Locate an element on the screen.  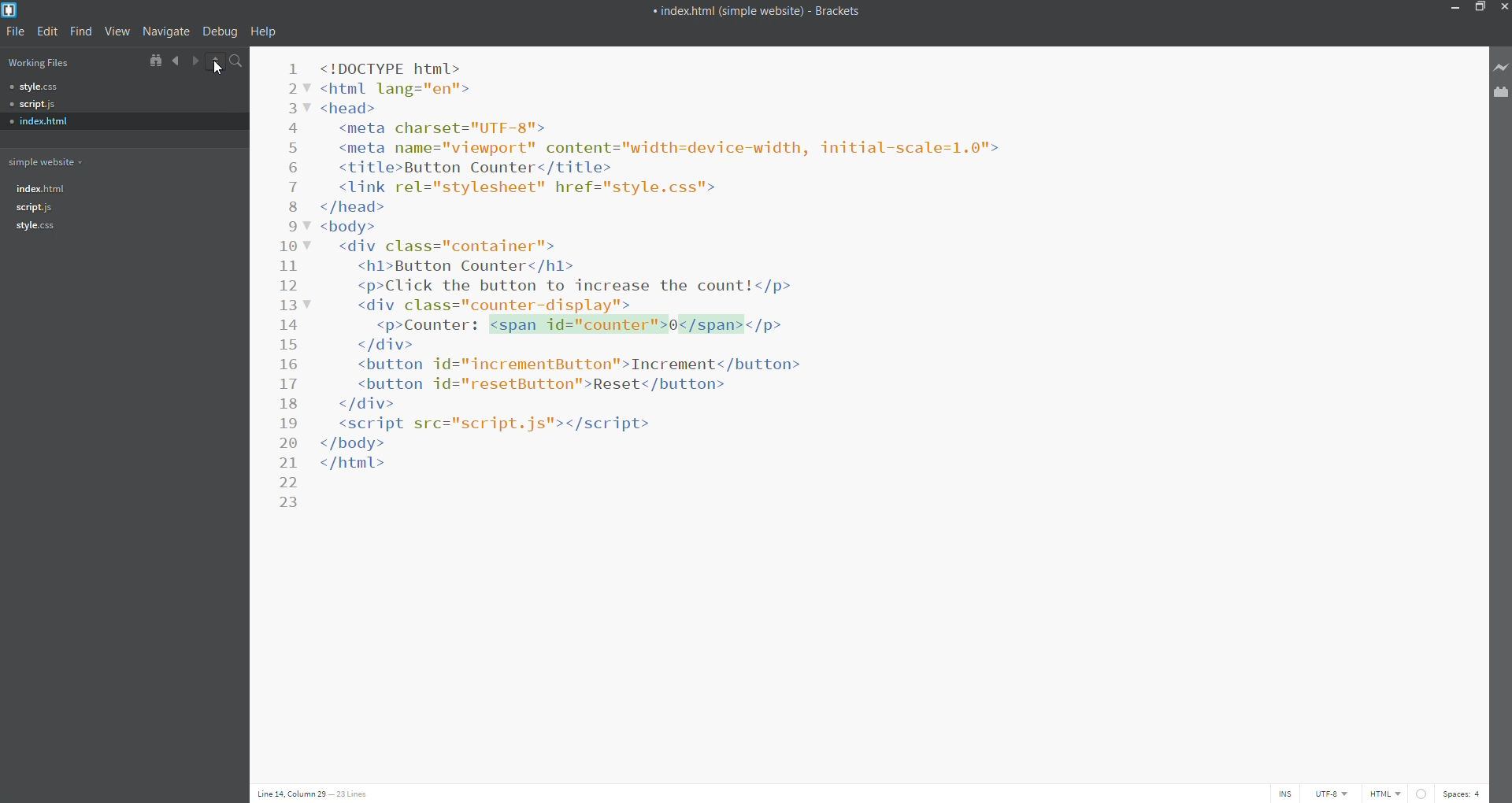
lines: 23 lines is located at coordinates (354, 794).